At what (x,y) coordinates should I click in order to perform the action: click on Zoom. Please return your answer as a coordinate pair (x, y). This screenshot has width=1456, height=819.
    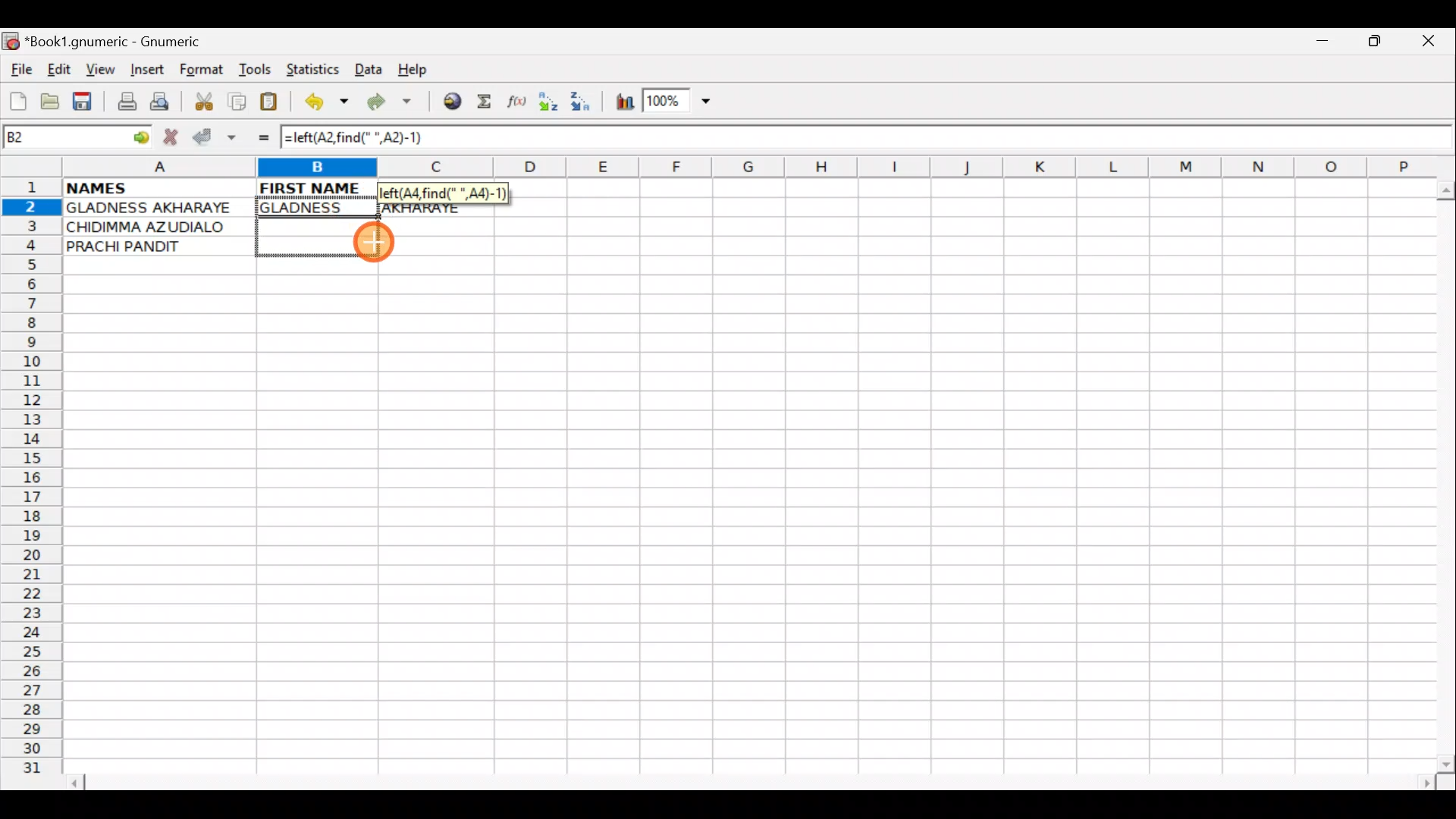
    Looking at the image, I should click on (679, 103).